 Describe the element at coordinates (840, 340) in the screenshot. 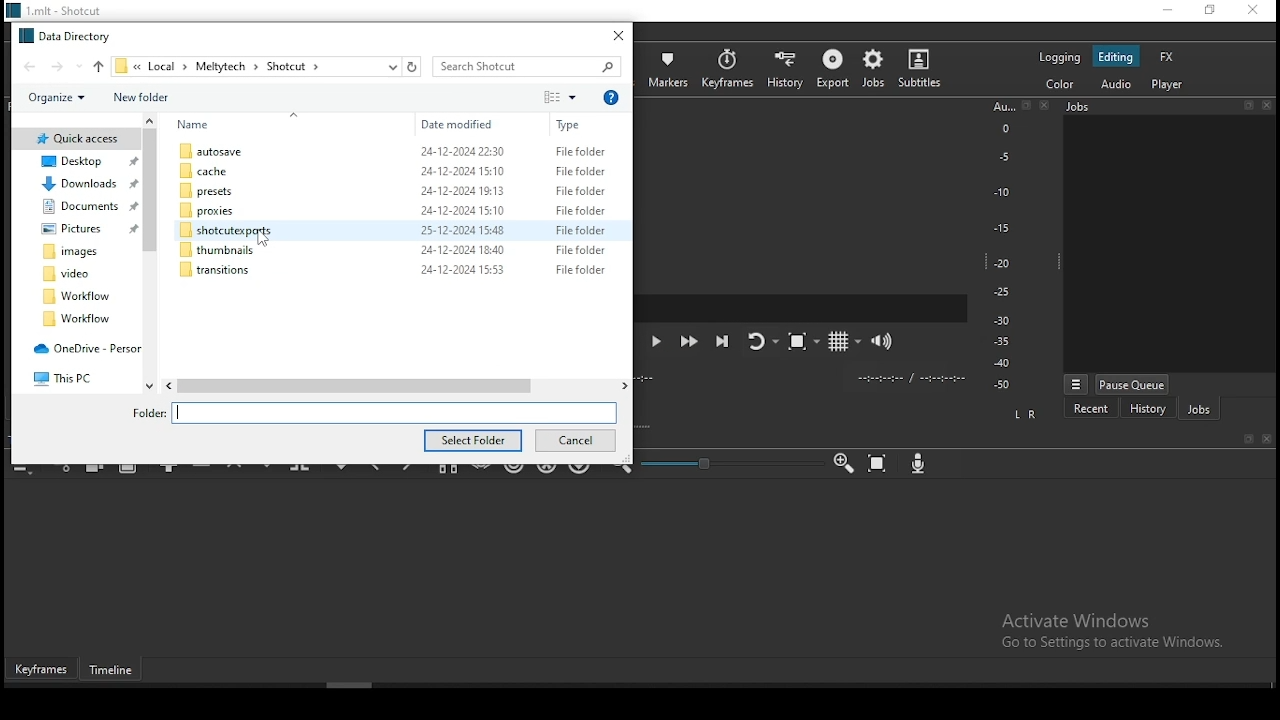

I see `toggle grid display on the player` at that location.